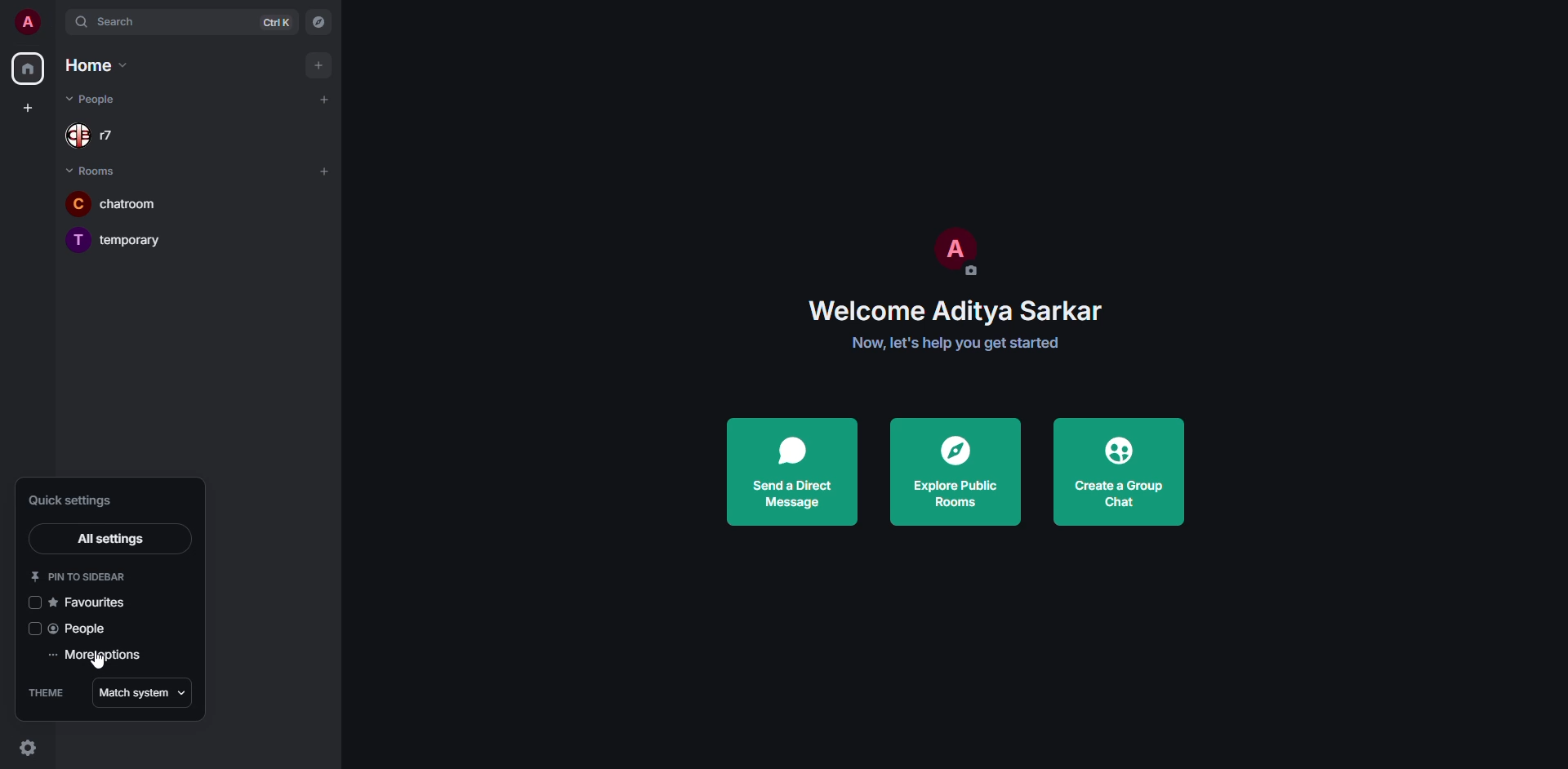  What do you see at coordinates (277, 23) in the screenshot?
I see `ctrl K` at bounding box center [277, 23].